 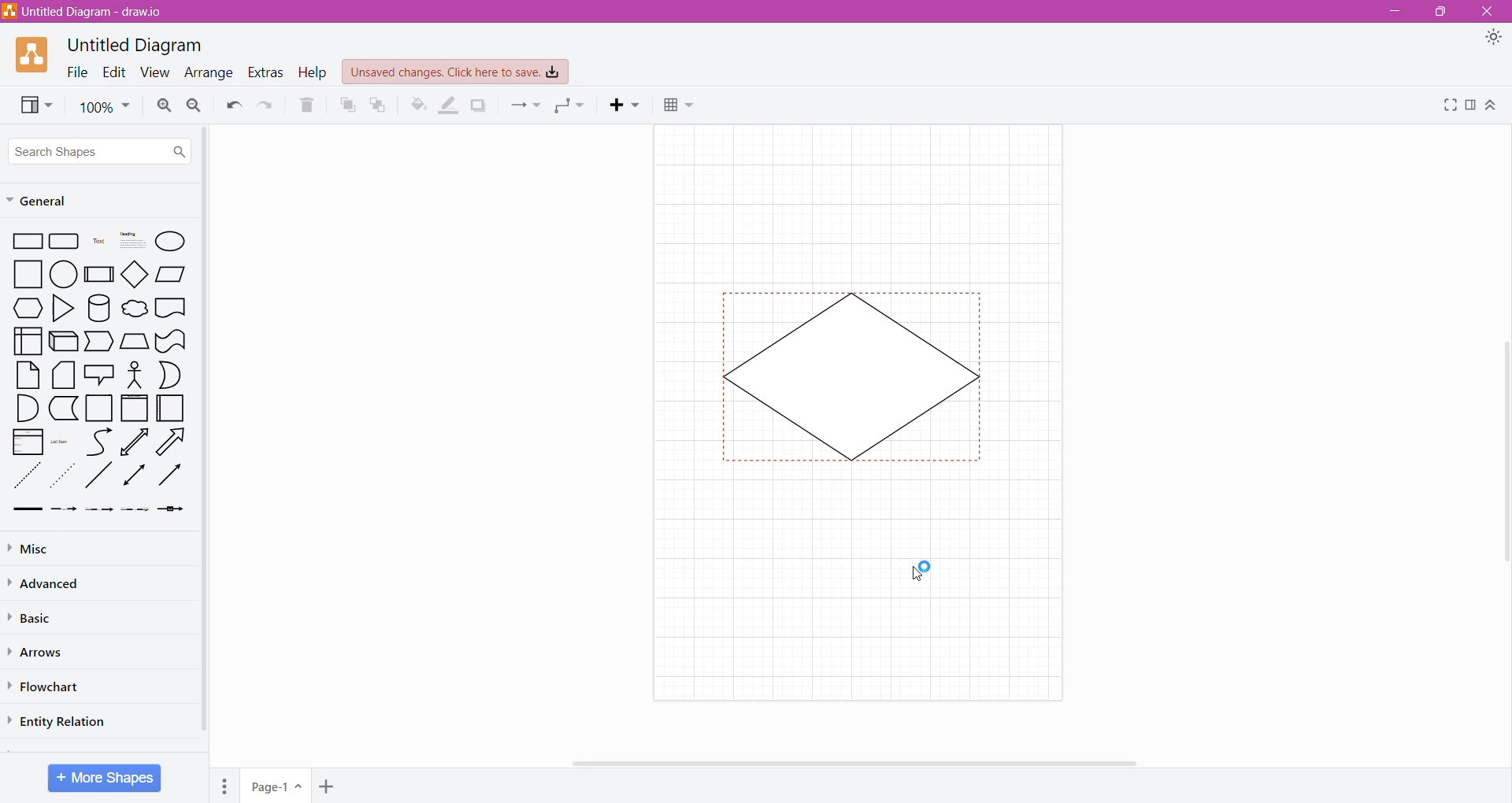 What do you see at coordinates (1450, 106) in the screenshot?
I see `Fullscreen` at bounding box center [1450, 106].